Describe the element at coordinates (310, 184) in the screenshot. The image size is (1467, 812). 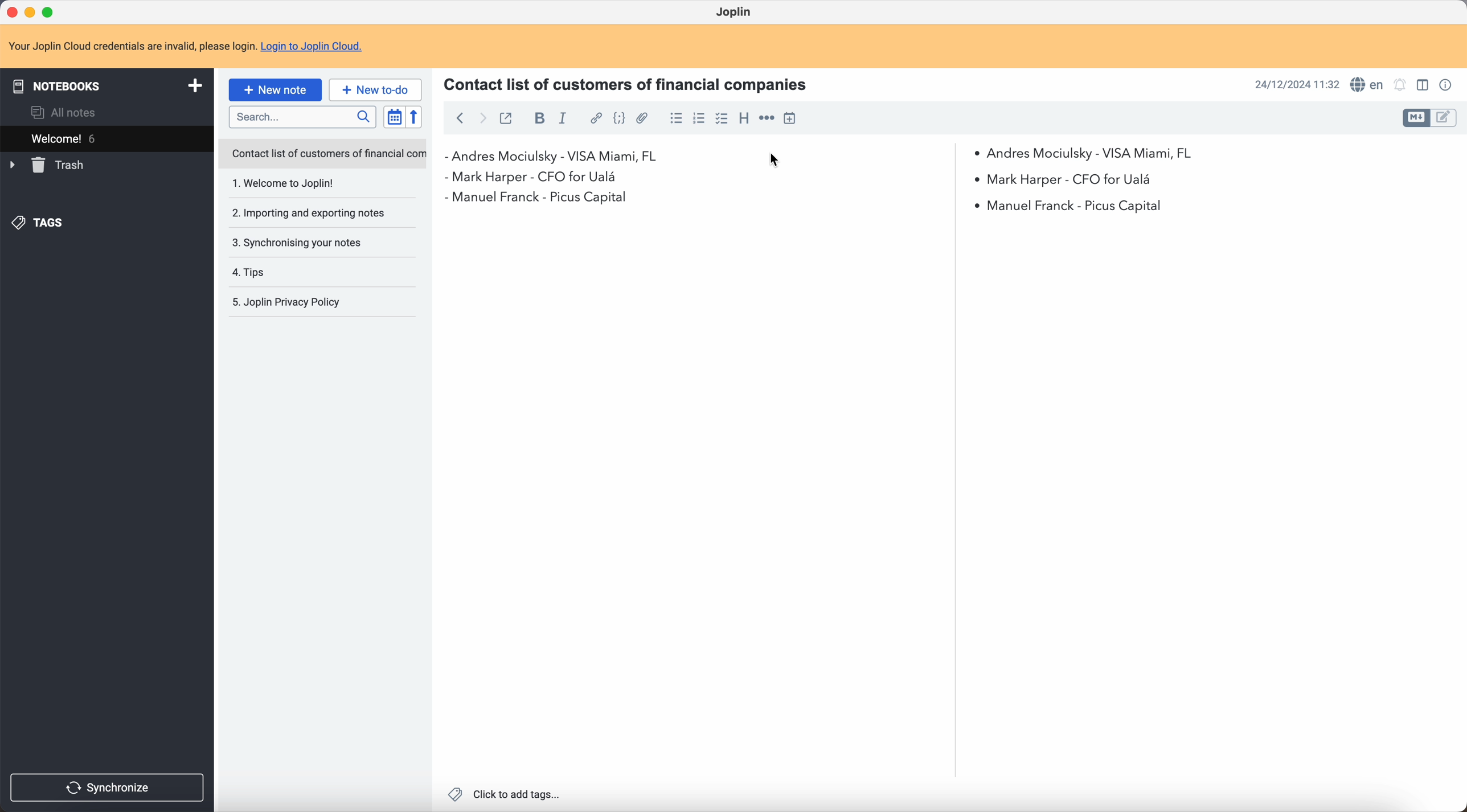
I see `1. Welcome to joplin!` at that location.